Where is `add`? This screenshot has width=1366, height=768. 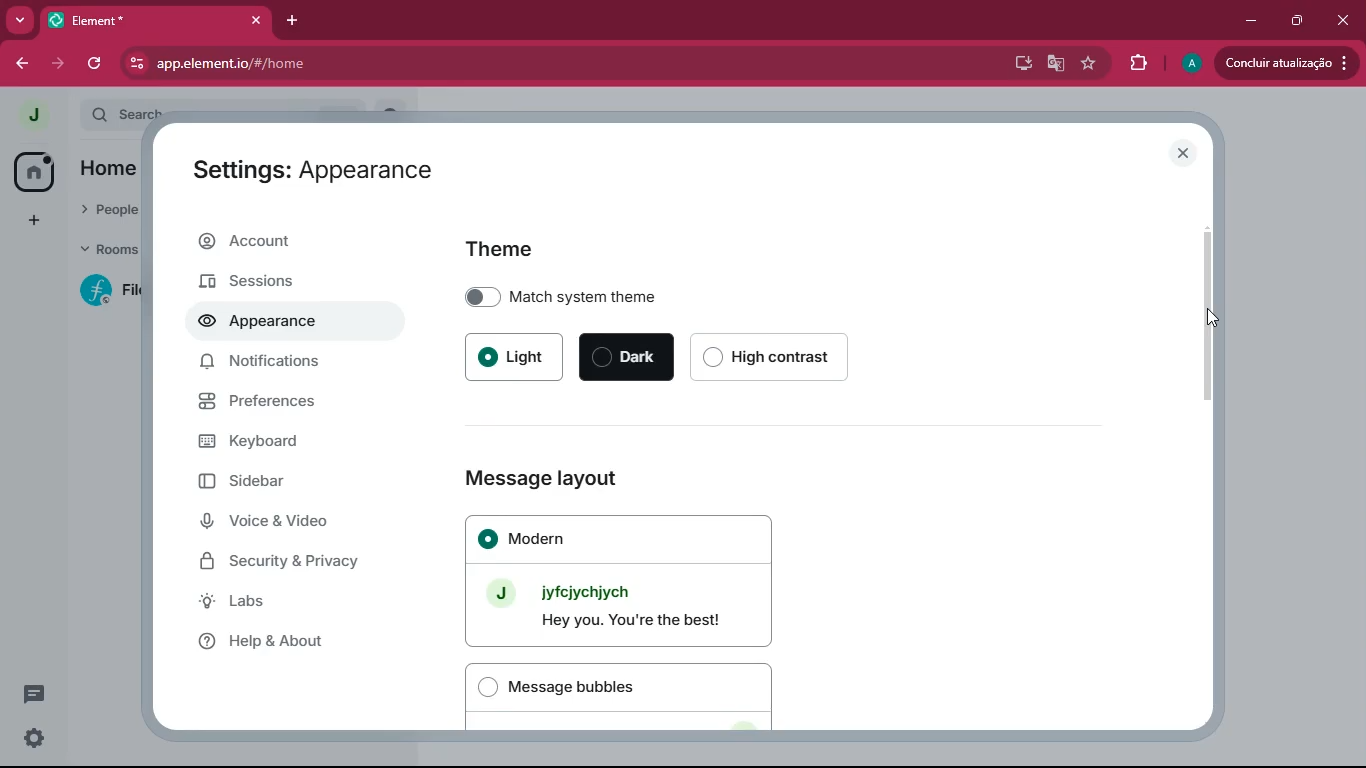
add is located at coordinates (29, 220).